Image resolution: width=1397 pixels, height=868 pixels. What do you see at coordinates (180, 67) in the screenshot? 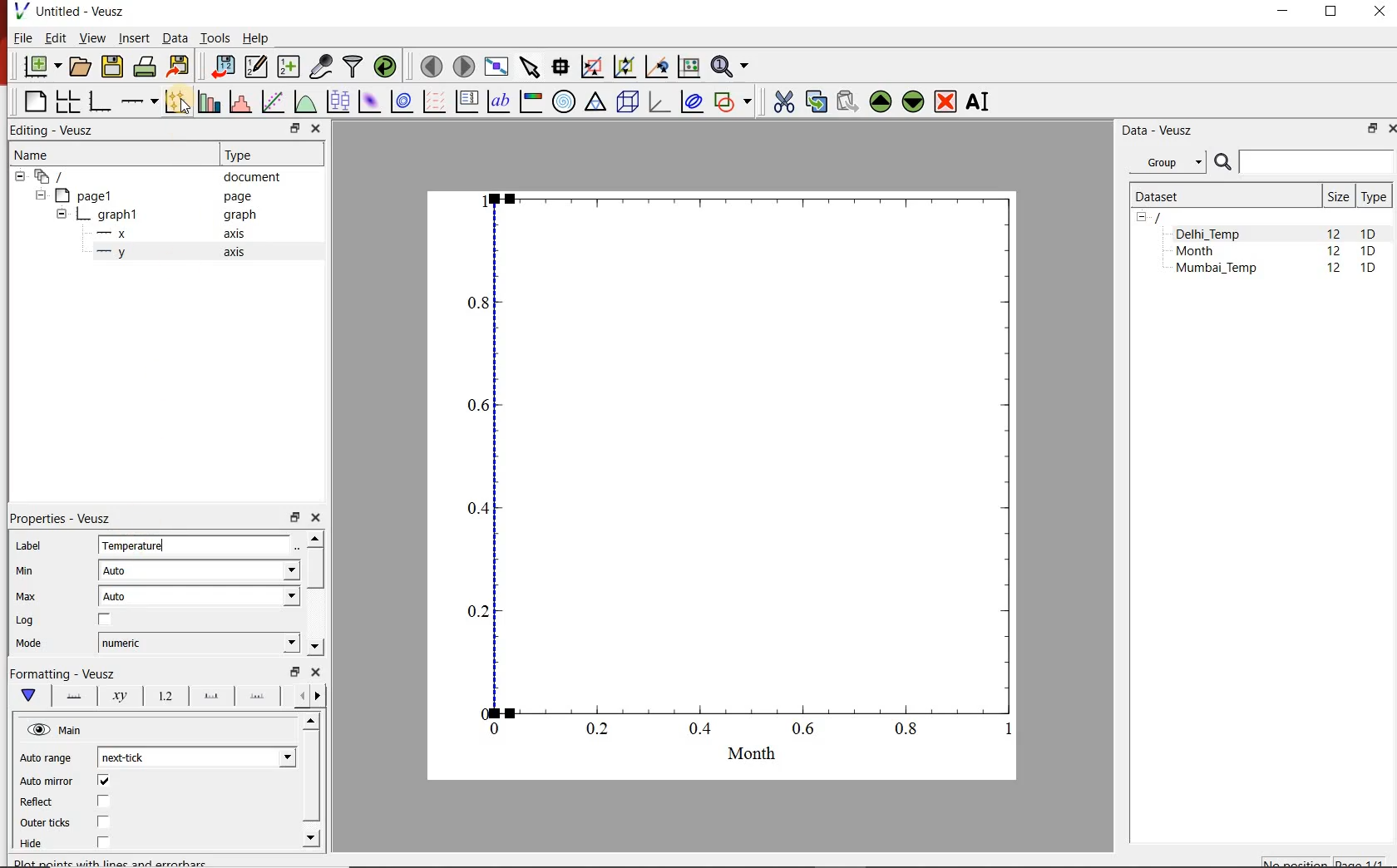
I see `export to graphics format` at bounding box center [180, 67].